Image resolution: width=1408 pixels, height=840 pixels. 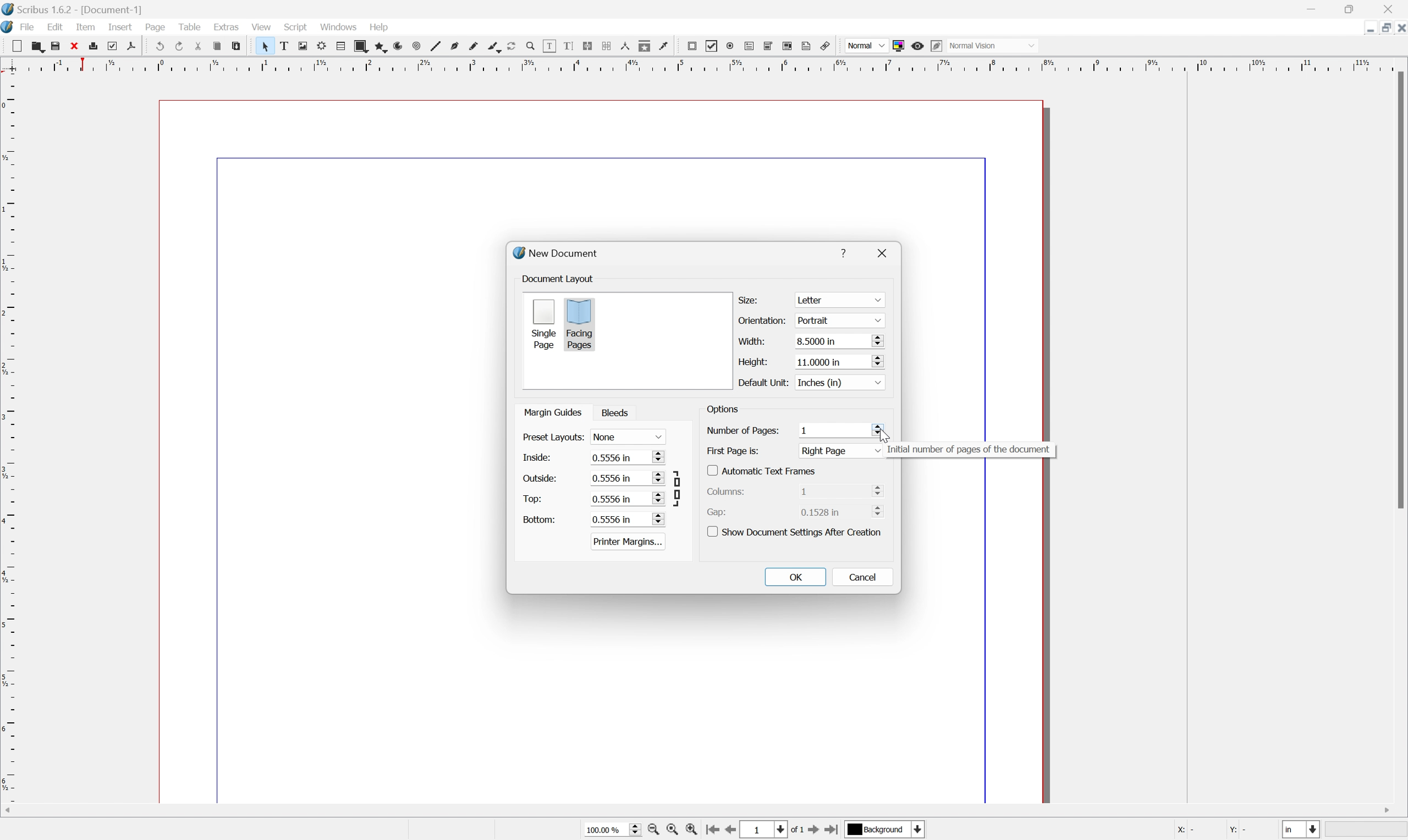 I want to click on letter, so click(x=840, y=300).